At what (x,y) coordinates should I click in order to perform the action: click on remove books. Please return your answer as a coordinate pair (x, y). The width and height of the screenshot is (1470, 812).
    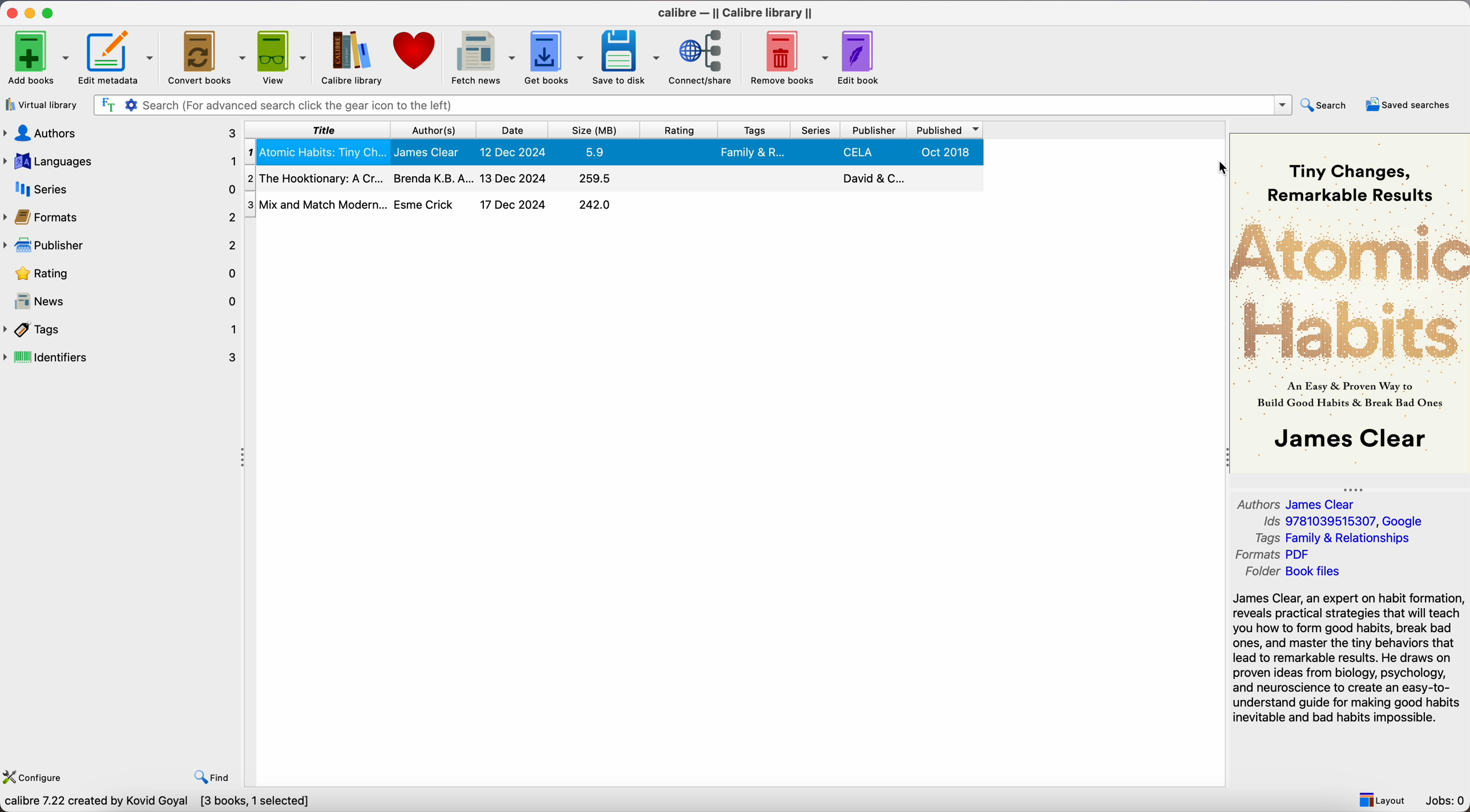
    Looking at the image, I should click on (790, 57).